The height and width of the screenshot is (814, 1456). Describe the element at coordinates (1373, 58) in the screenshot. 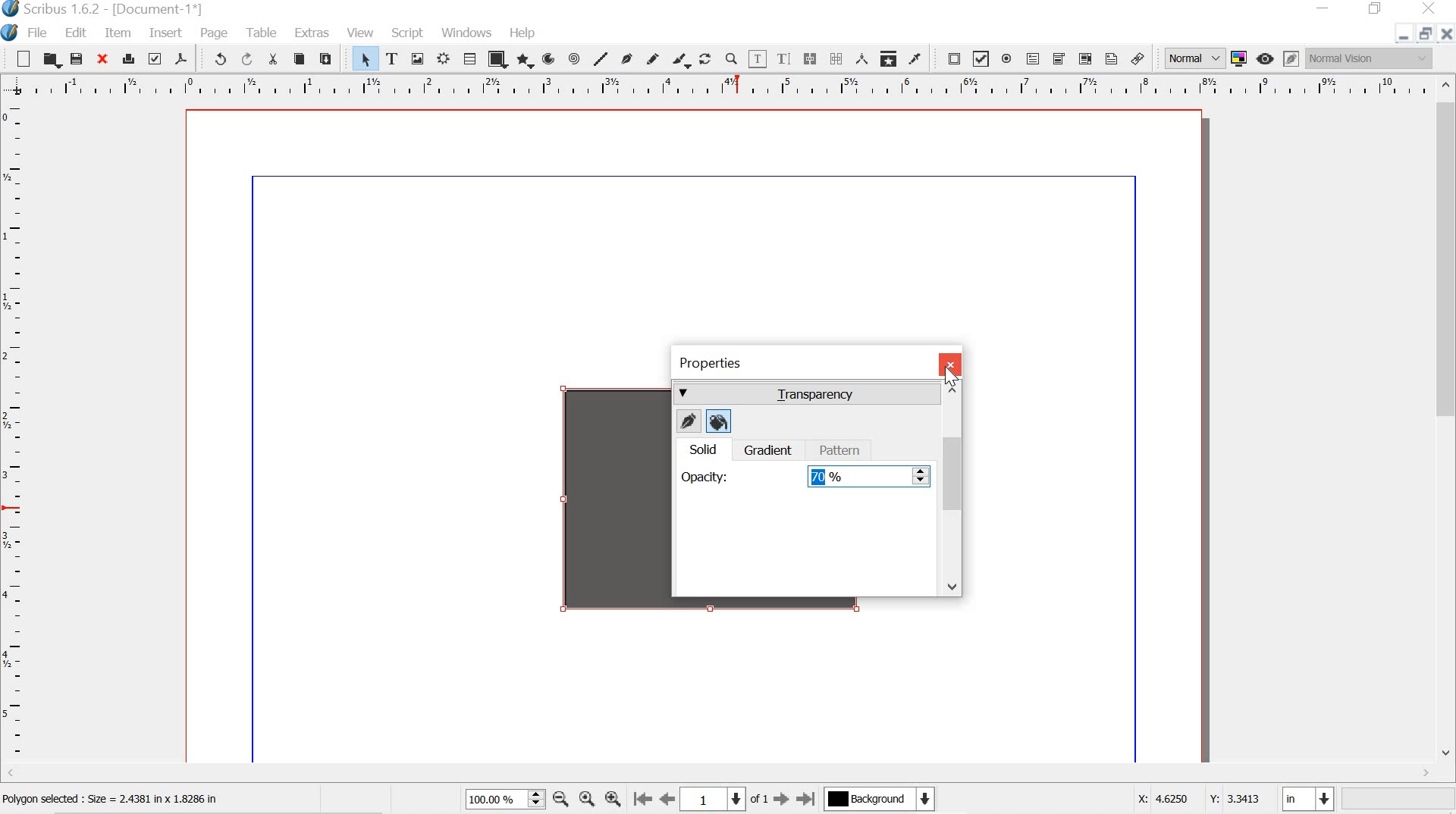

I see `Normal vision` at that location.